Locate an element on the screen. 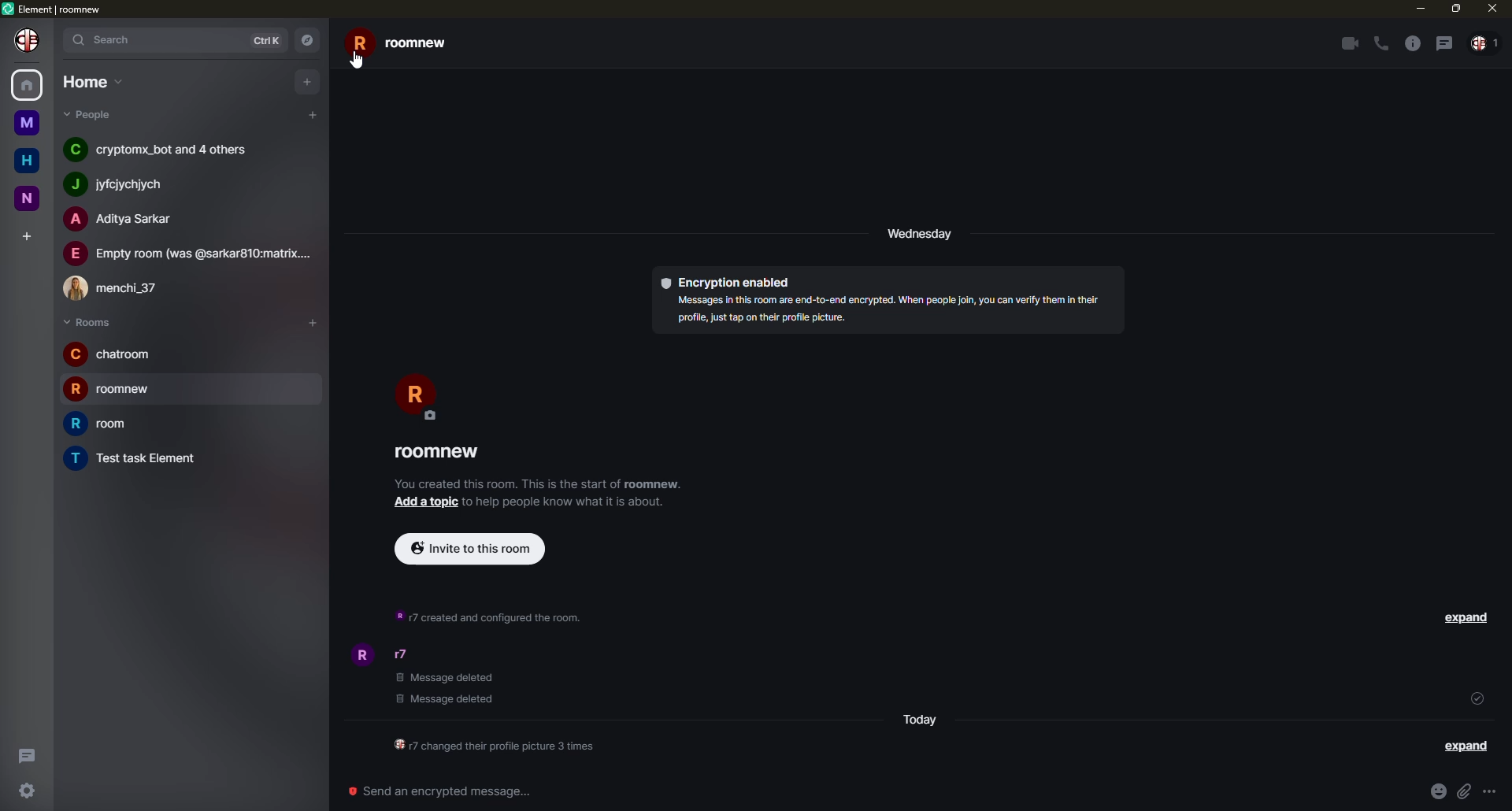 This screenshot has height=811, width=1512. home is located at coordinates (25, 87).